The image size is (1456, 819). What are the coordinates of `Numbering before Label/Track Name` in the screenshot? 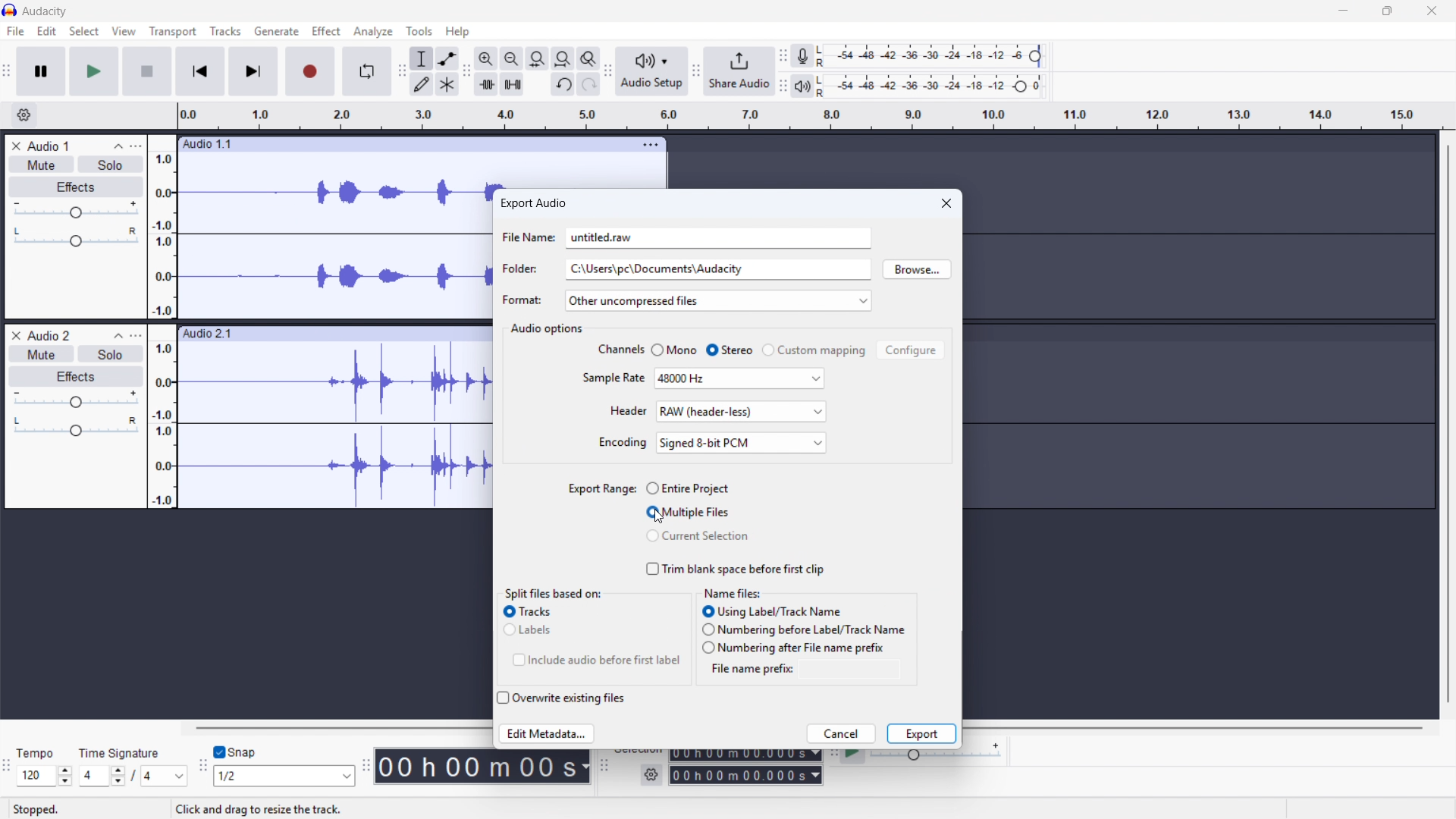 It's located at (803, 629).